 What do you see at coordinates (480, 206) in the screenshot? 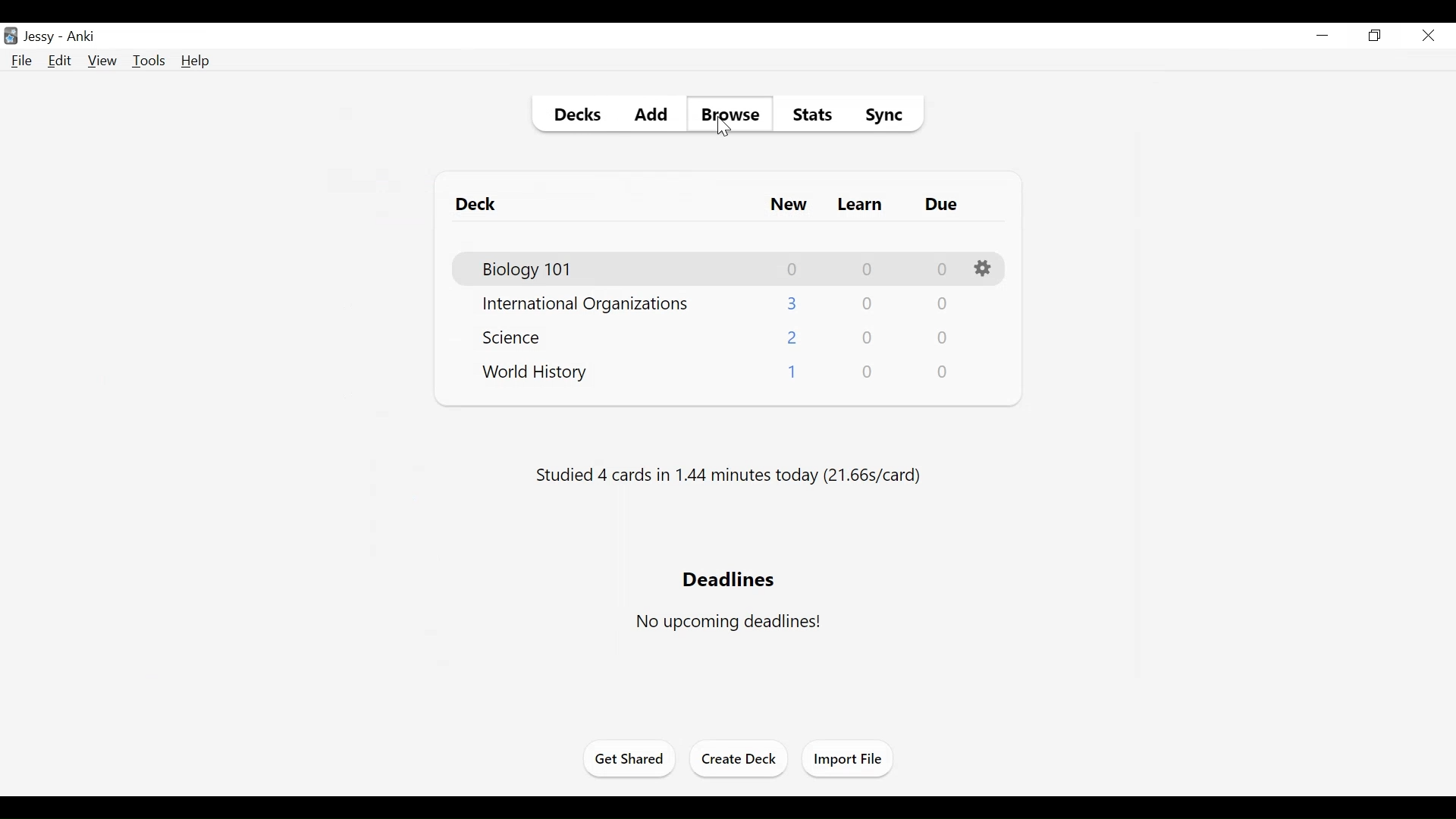
I see `Deck Name` at bounding box center [480, 206].